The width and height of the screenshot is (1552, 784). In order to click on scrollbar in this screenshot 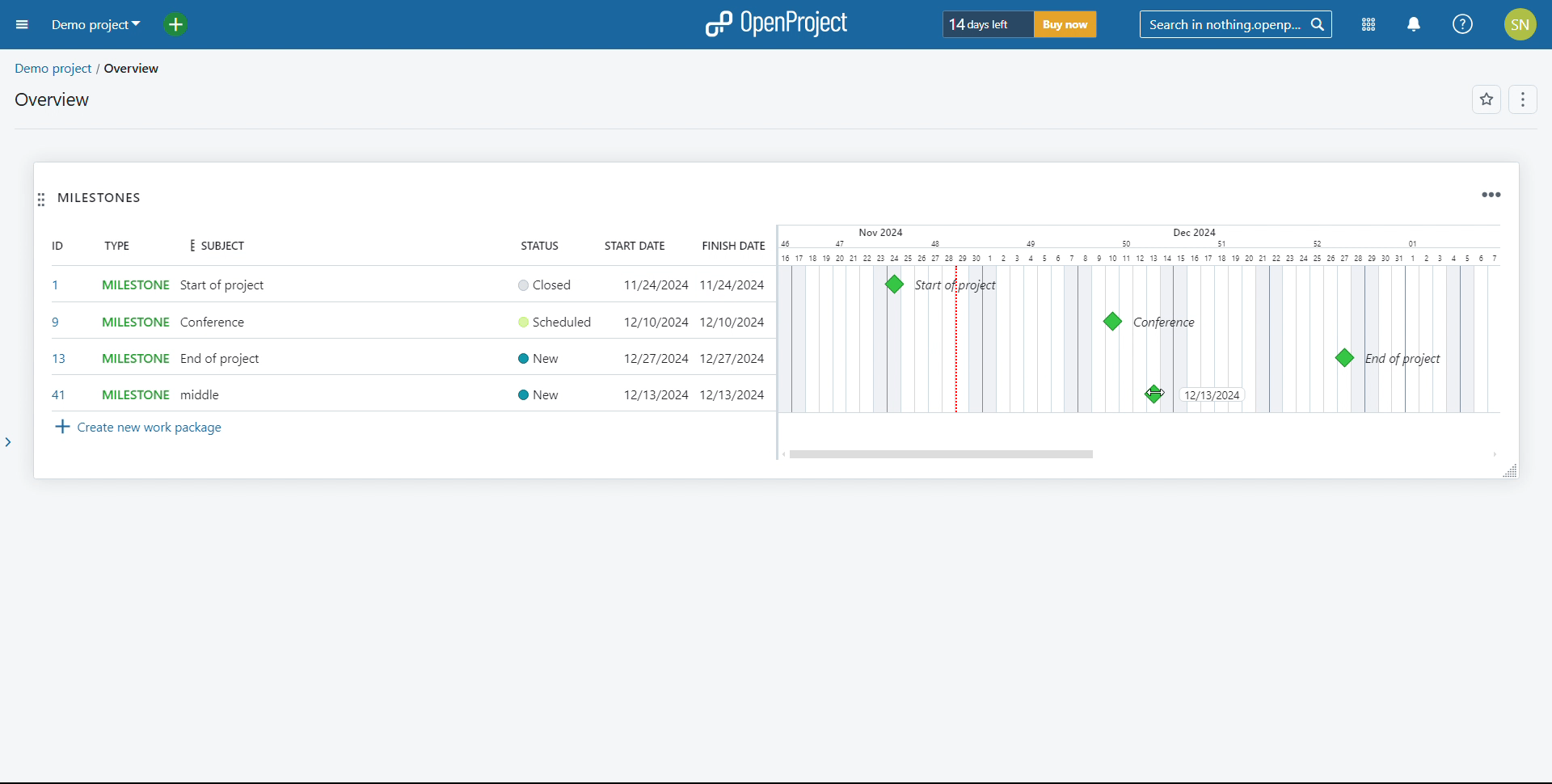, I will do `click(943, 454)`.